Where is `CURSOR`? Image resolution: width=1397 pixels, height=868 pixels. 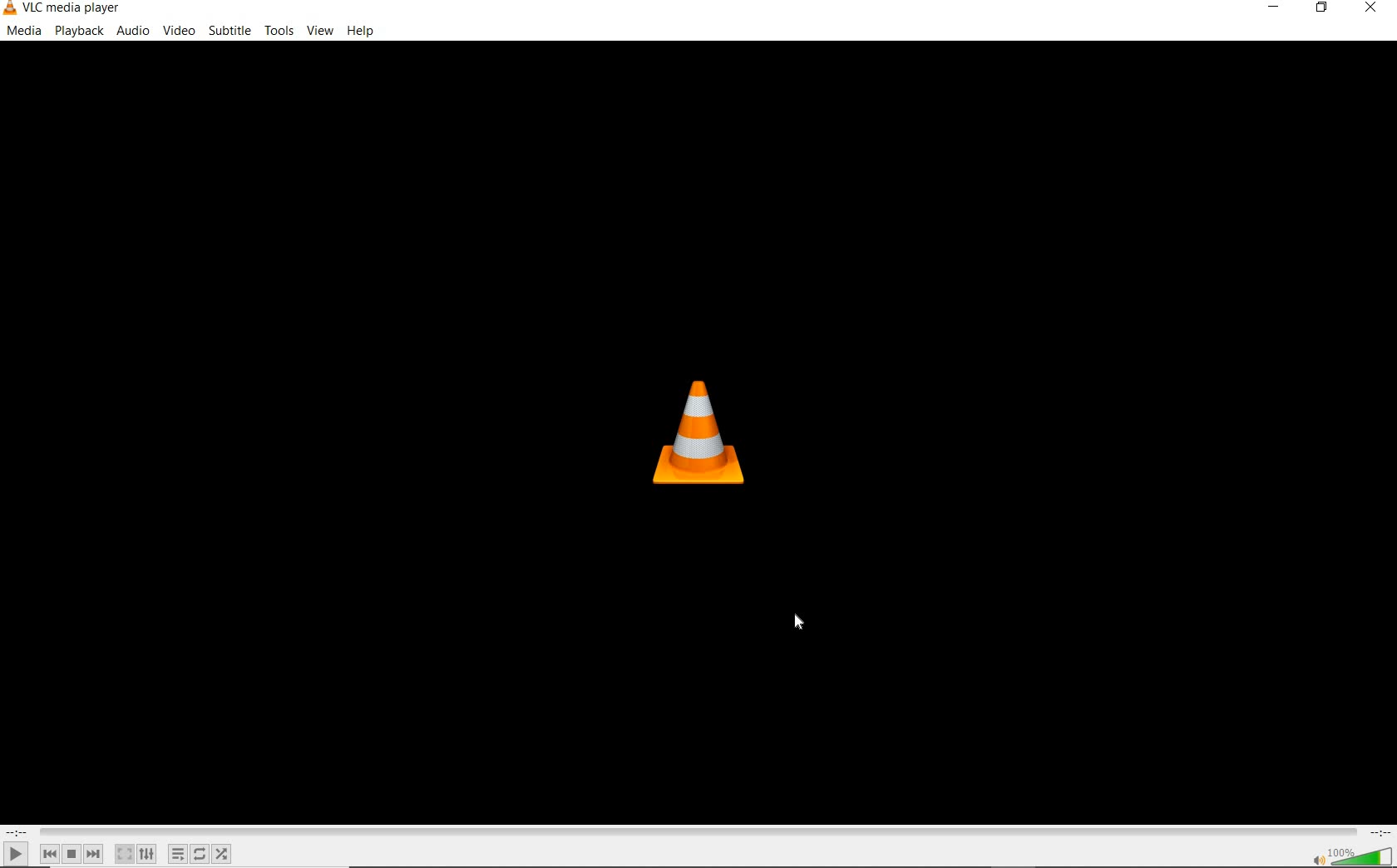 CURSOR is located at coordinates (799, 623).